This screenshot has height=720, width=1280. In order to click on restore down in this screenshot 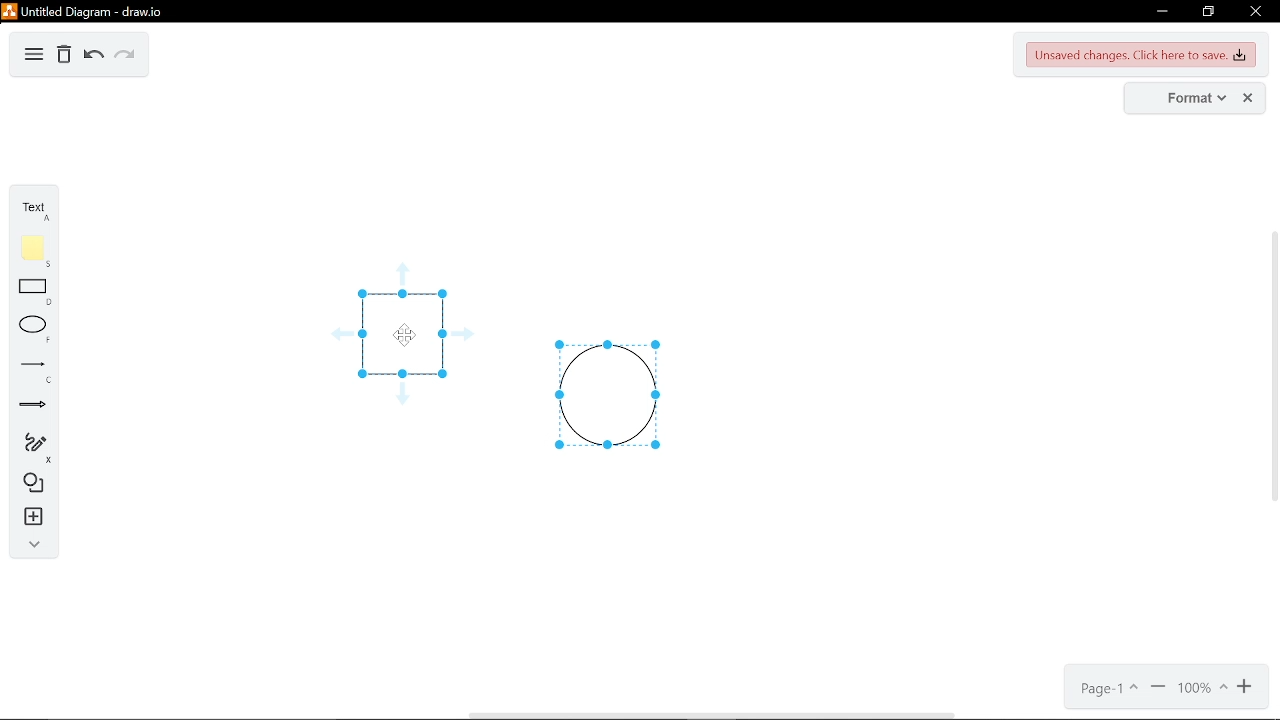, I will do `click(1207, 13)`.